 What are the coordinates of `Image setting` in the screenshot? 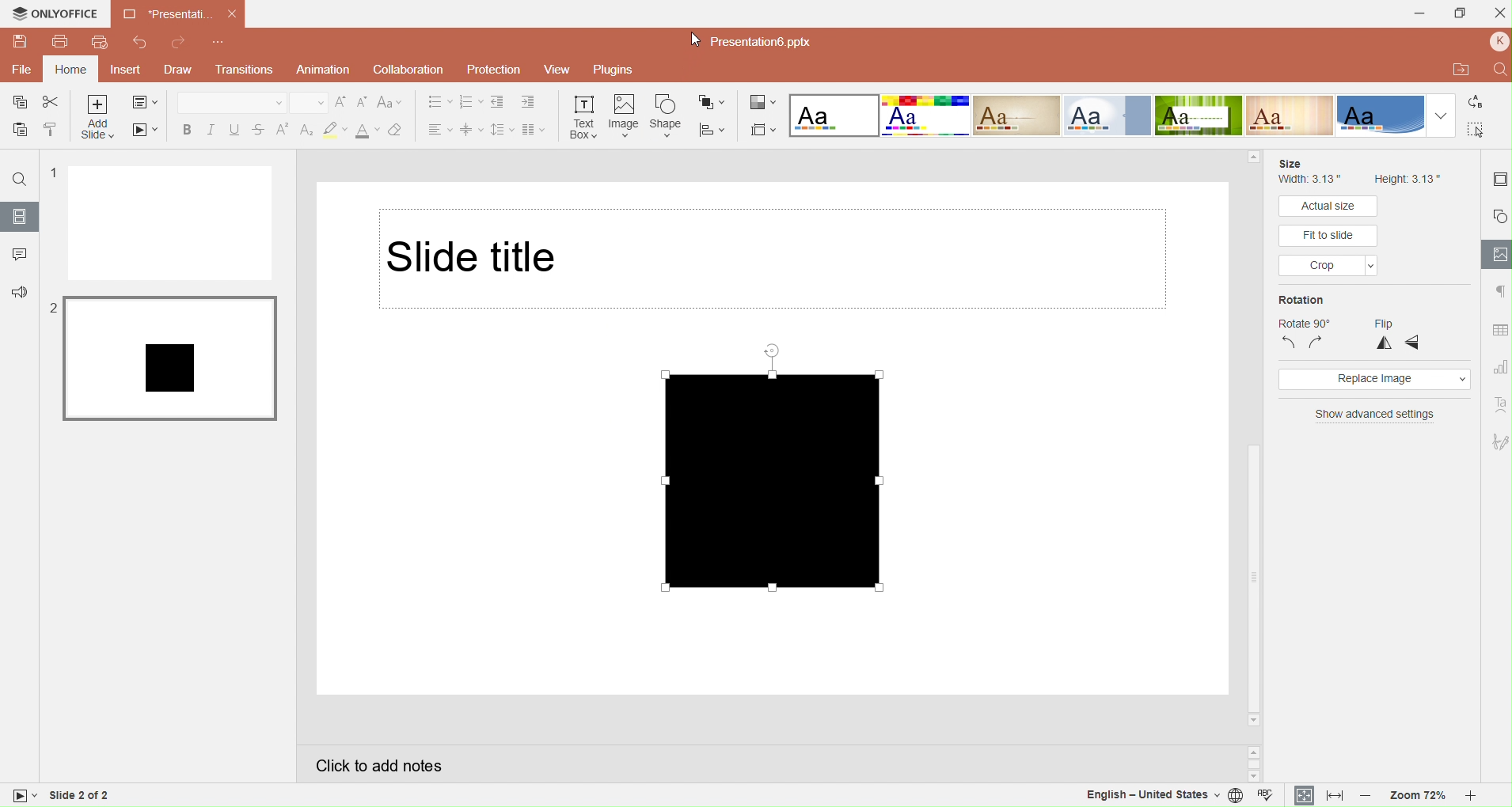 It's located at (1498, 254).